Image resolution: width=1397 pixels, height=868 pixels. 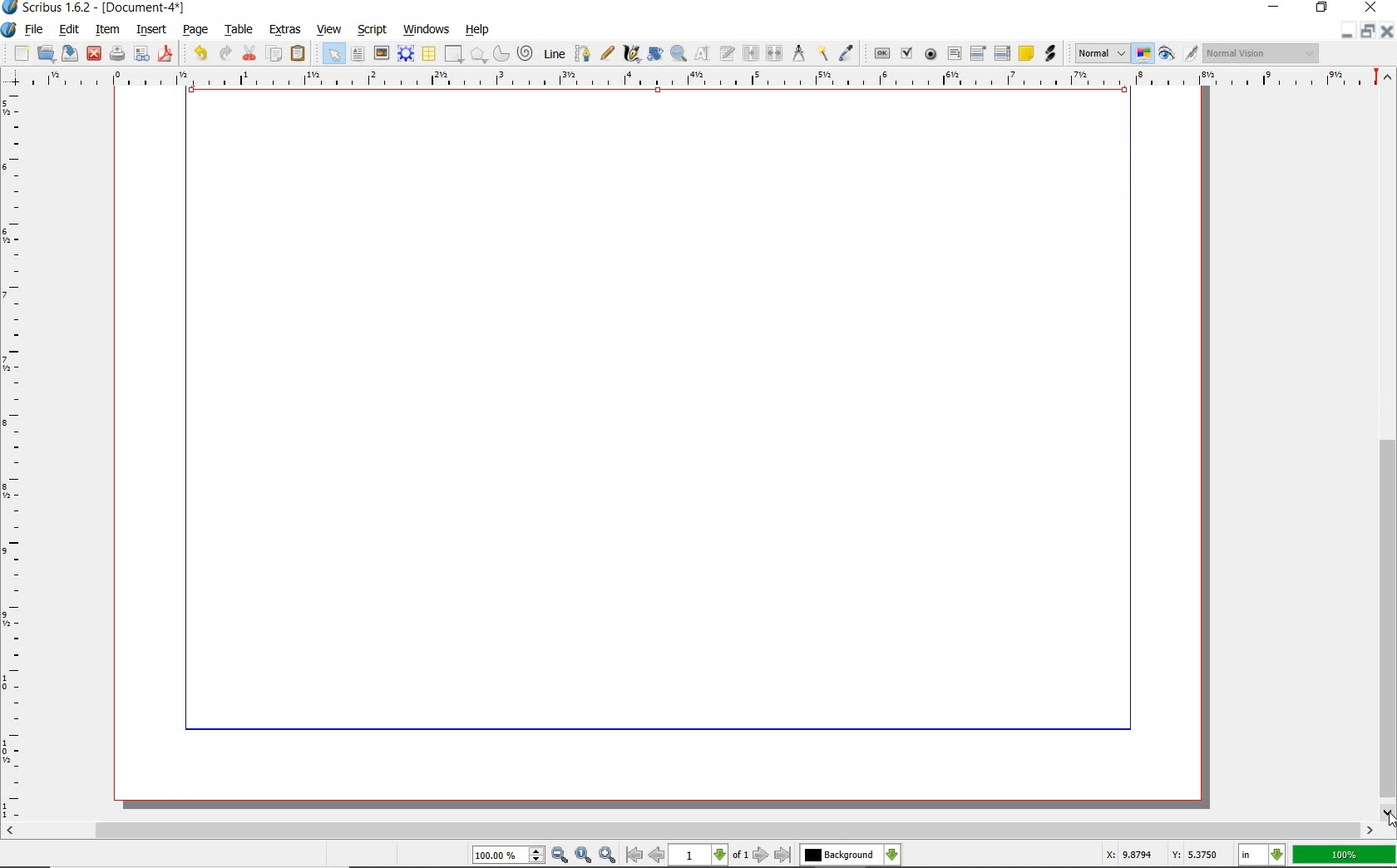 What do you see at coordinates (1388, 31) in the screenshot?
I see `close` at bounding box center [1388, 31].